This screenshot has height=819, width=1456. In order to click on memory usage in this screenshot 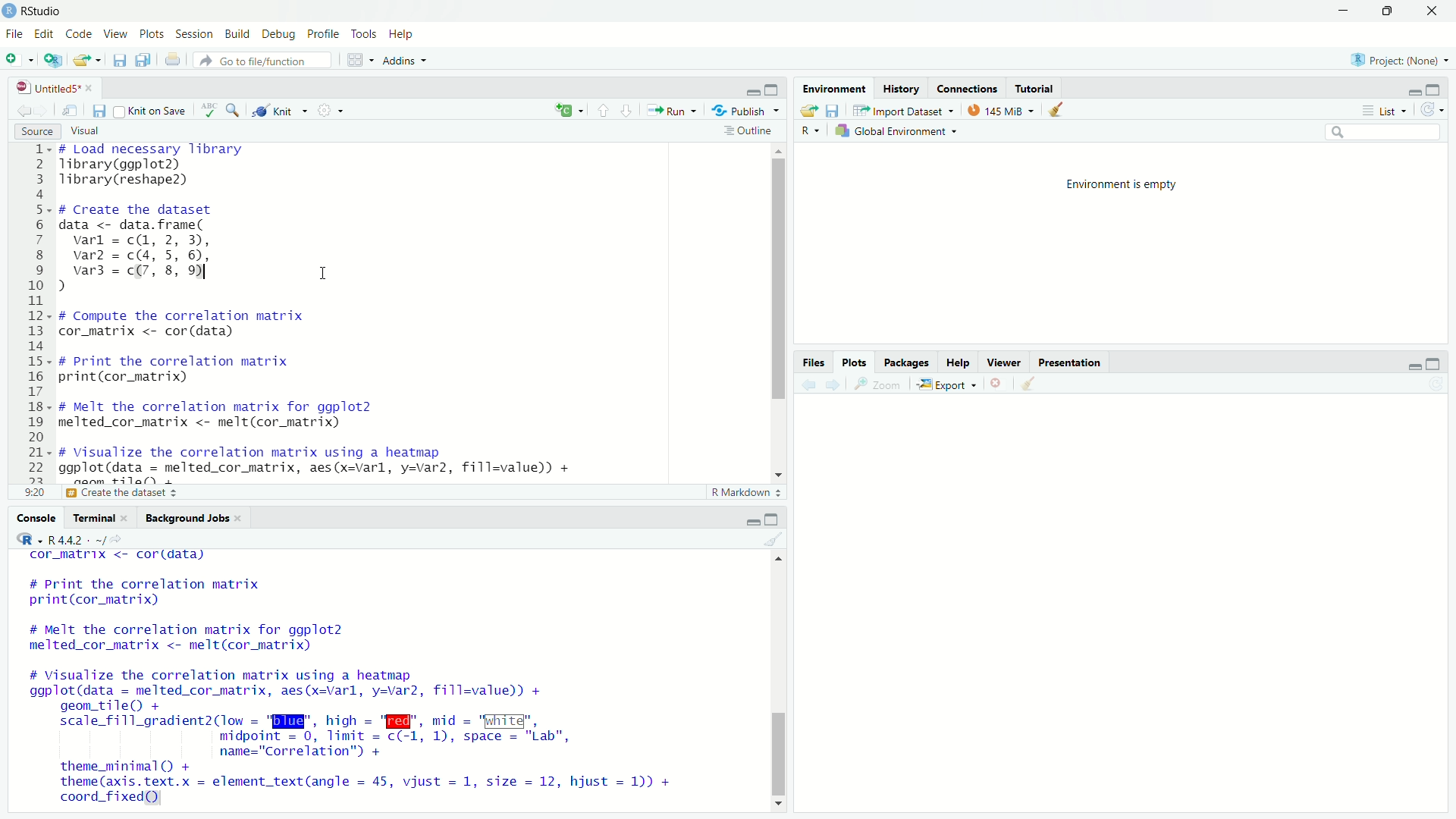, I will do `click(999, 110)`.